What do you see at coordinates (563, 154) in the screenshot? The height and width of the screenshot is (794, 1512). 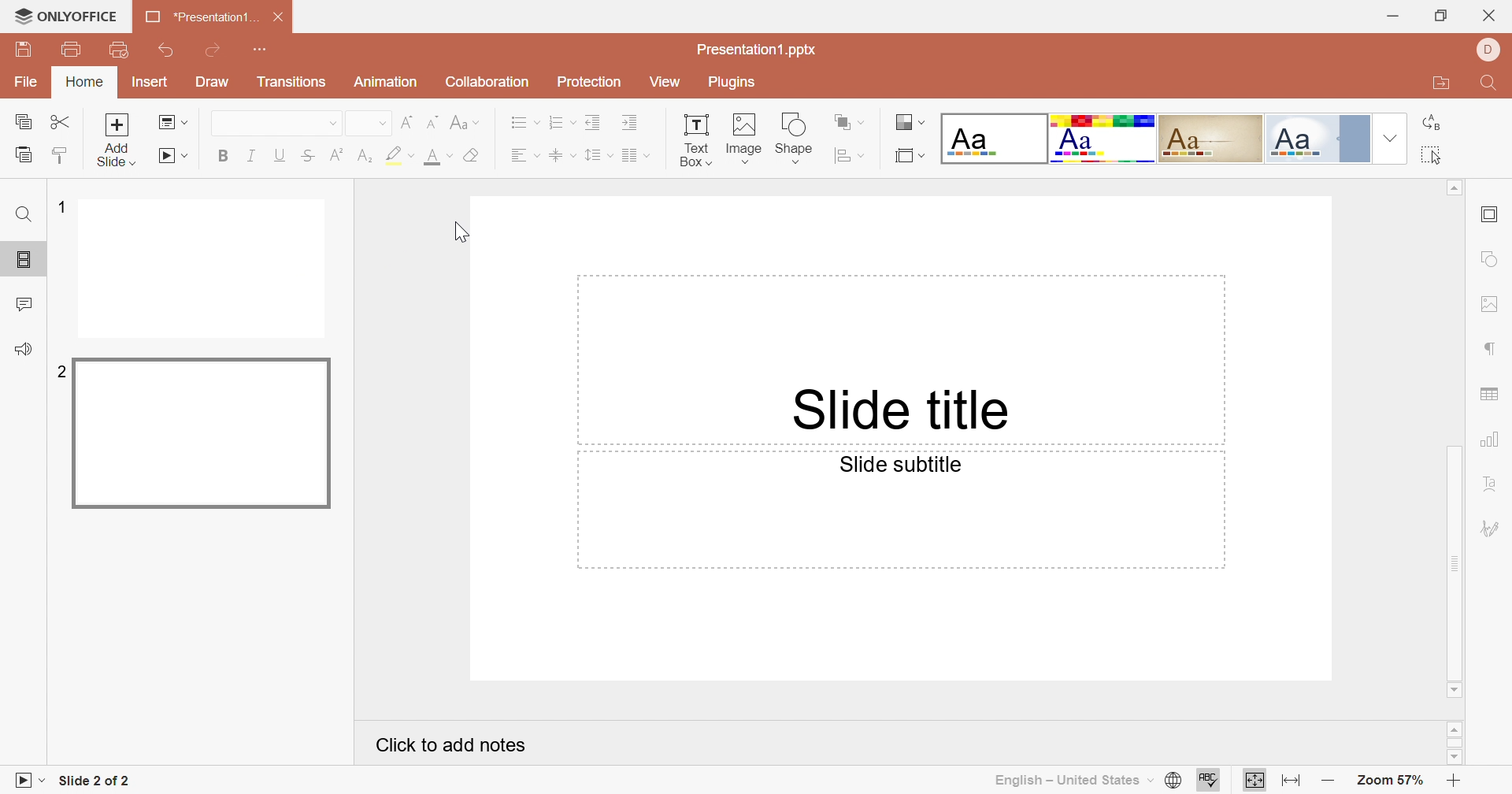 I see `Align Middle` at bounding box center [563, 154].